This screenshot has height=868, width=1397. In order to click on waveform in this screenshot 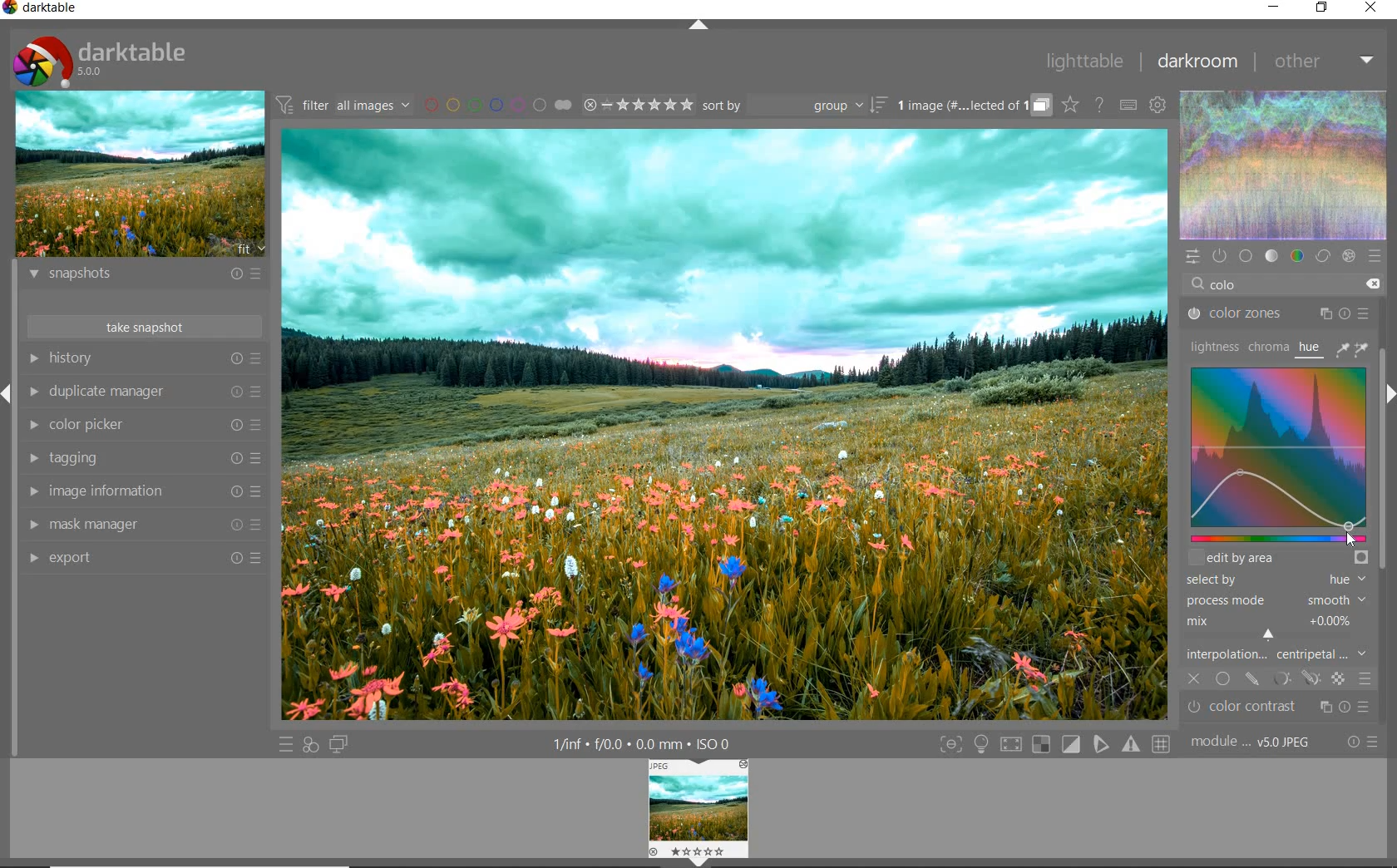, I will do `click(1285, 165)`.